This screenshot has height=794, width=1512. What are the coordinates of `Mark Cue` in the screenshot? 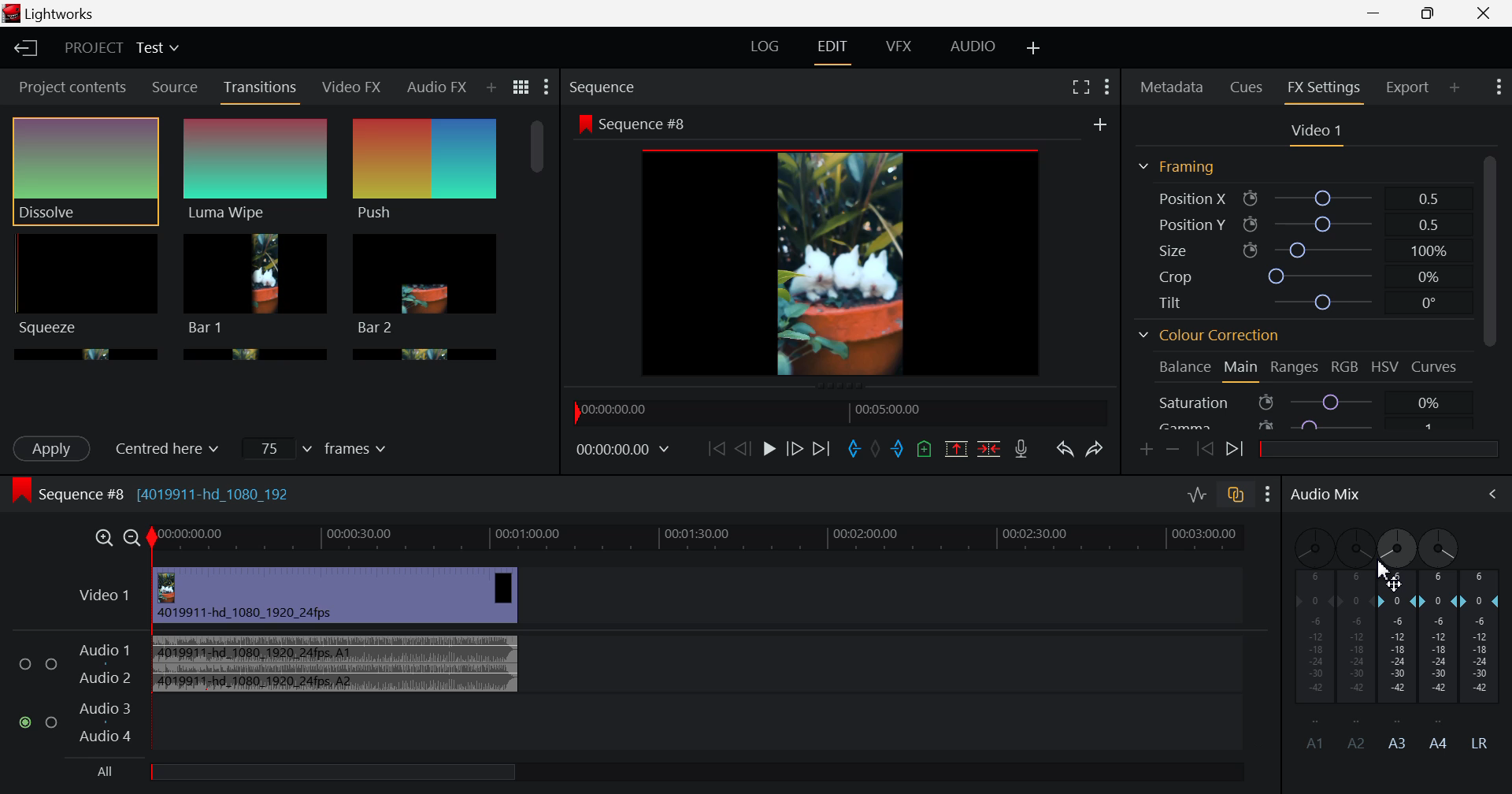 It's located at (923, 449).